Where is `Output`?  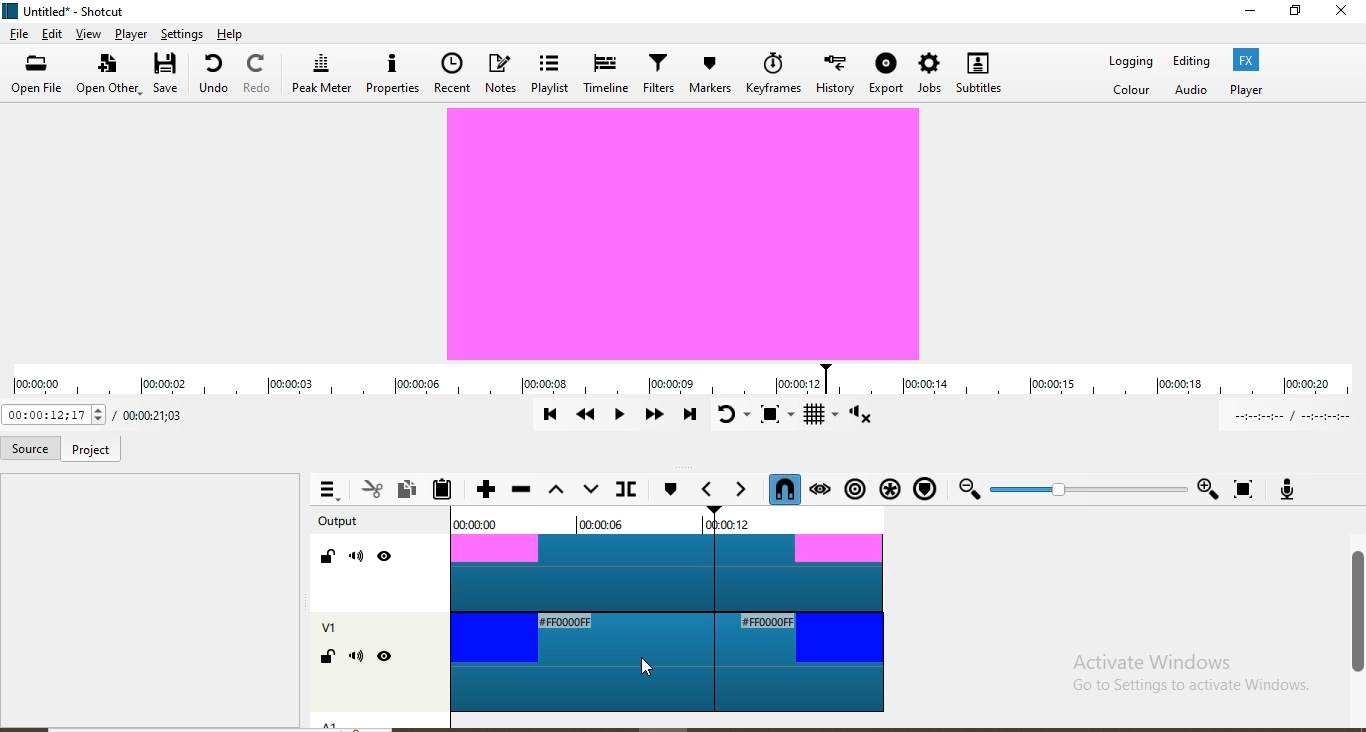 Output is located at coordinates (345, 522).